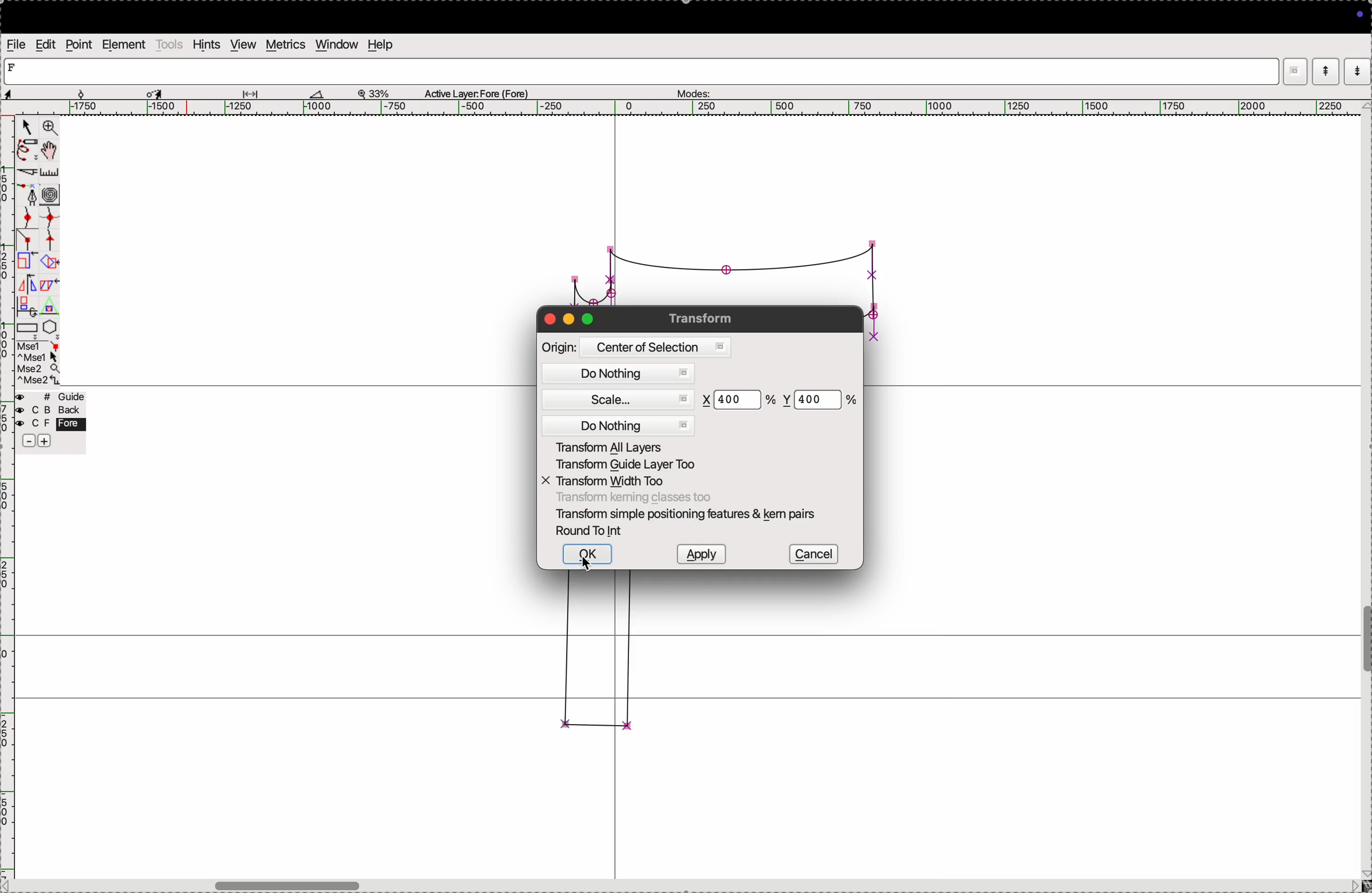  What do you see at coordinates (32, 196) in the screenshot?
I see `fountain pen` at bounding box center [32, 196].